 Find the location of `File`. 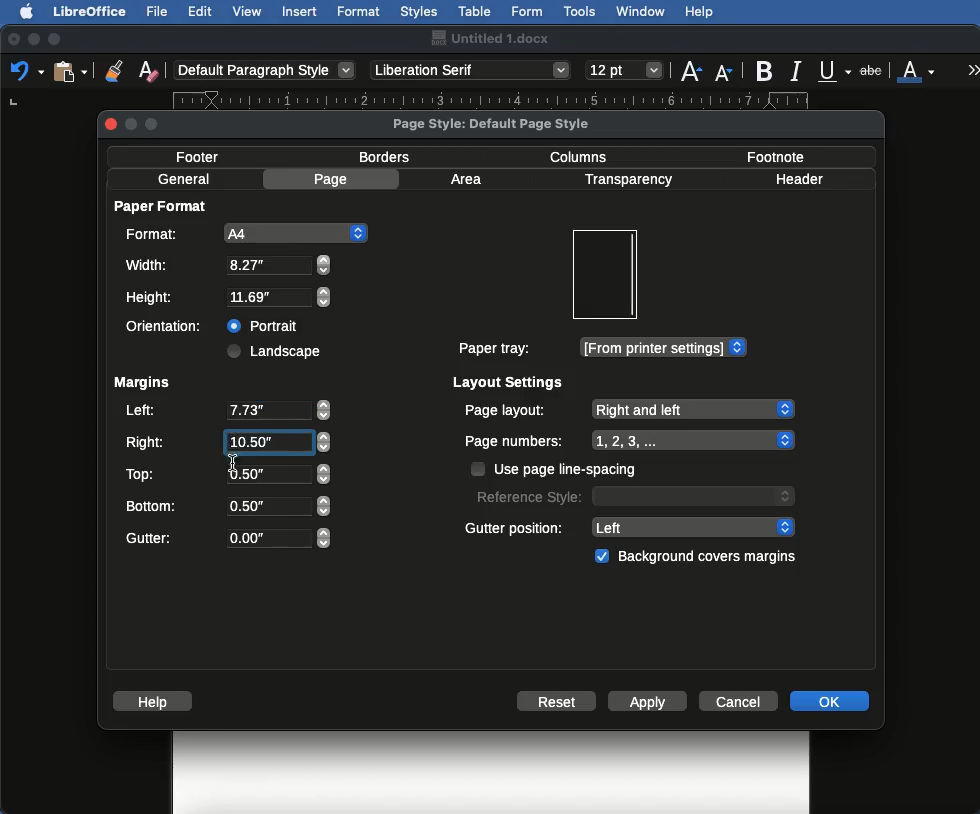

File is located at coordinates (159, 11).